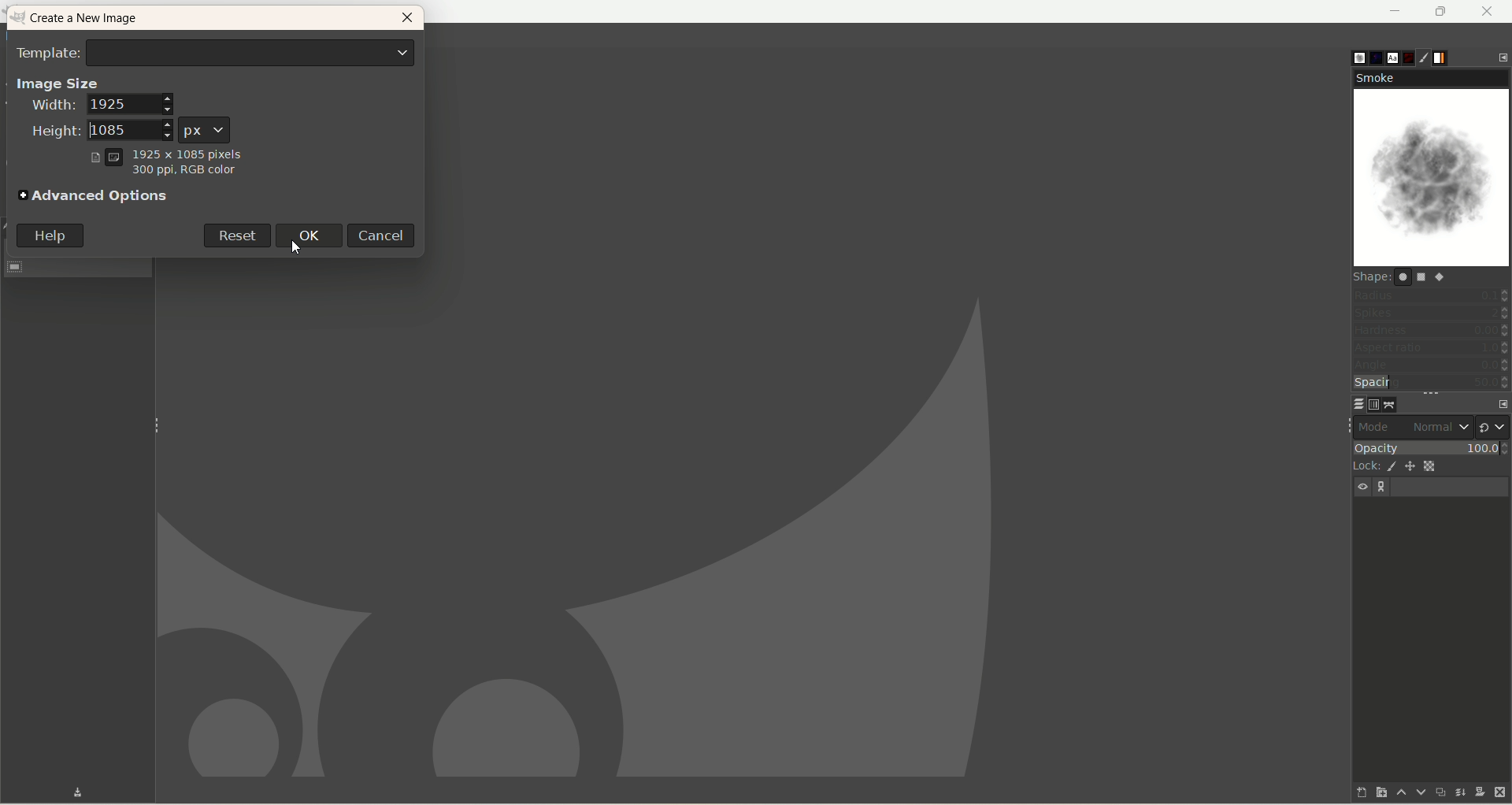 The width and height of the screenshot is (1512, 805). What do you see at coordinates (1432, 295) in the screenshot?
I see `radius` at bounding box center [1432, 295].